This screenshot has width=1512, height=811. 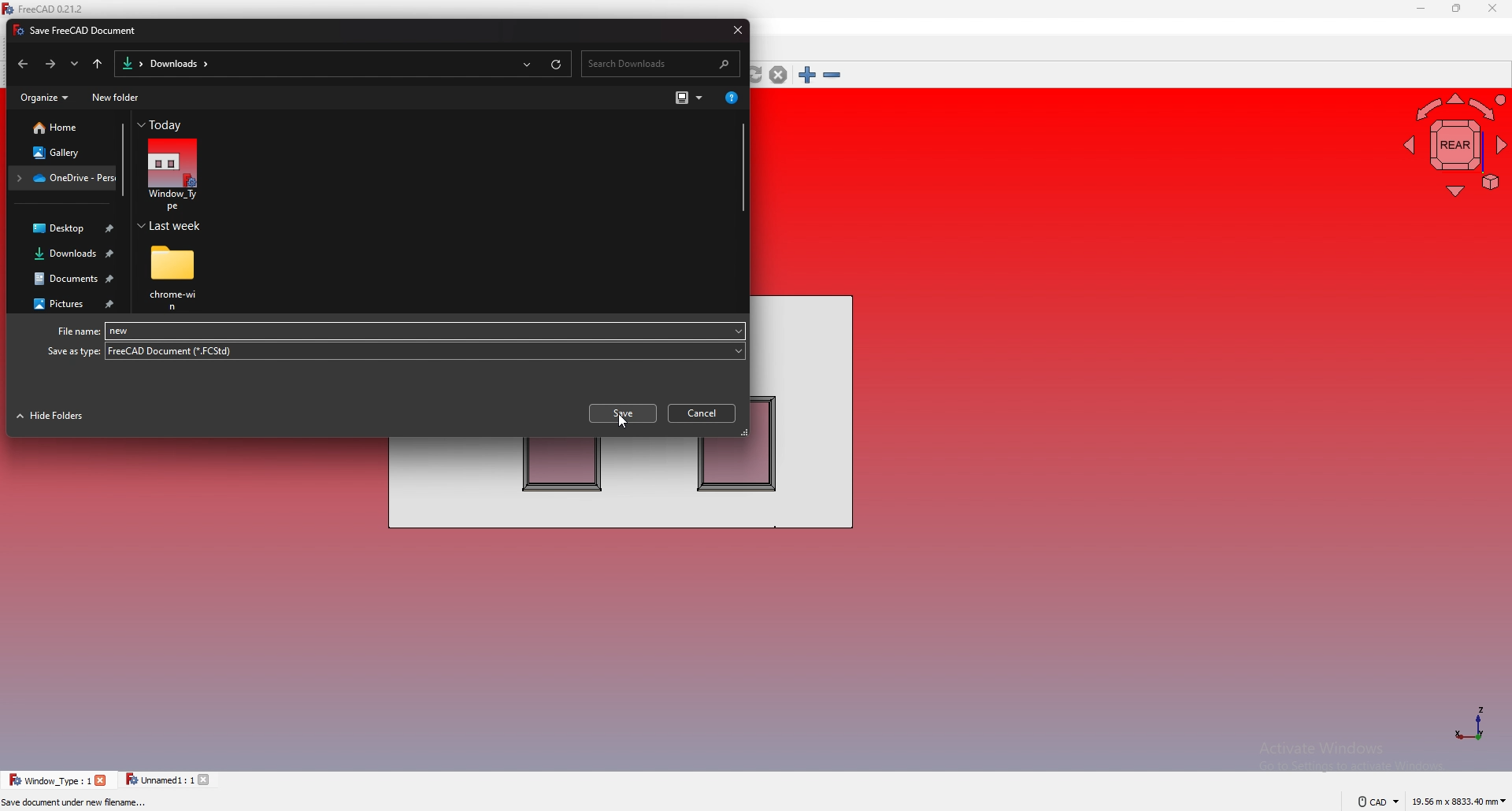 I want to click on navigating cube, so click(x=1451, y=143).